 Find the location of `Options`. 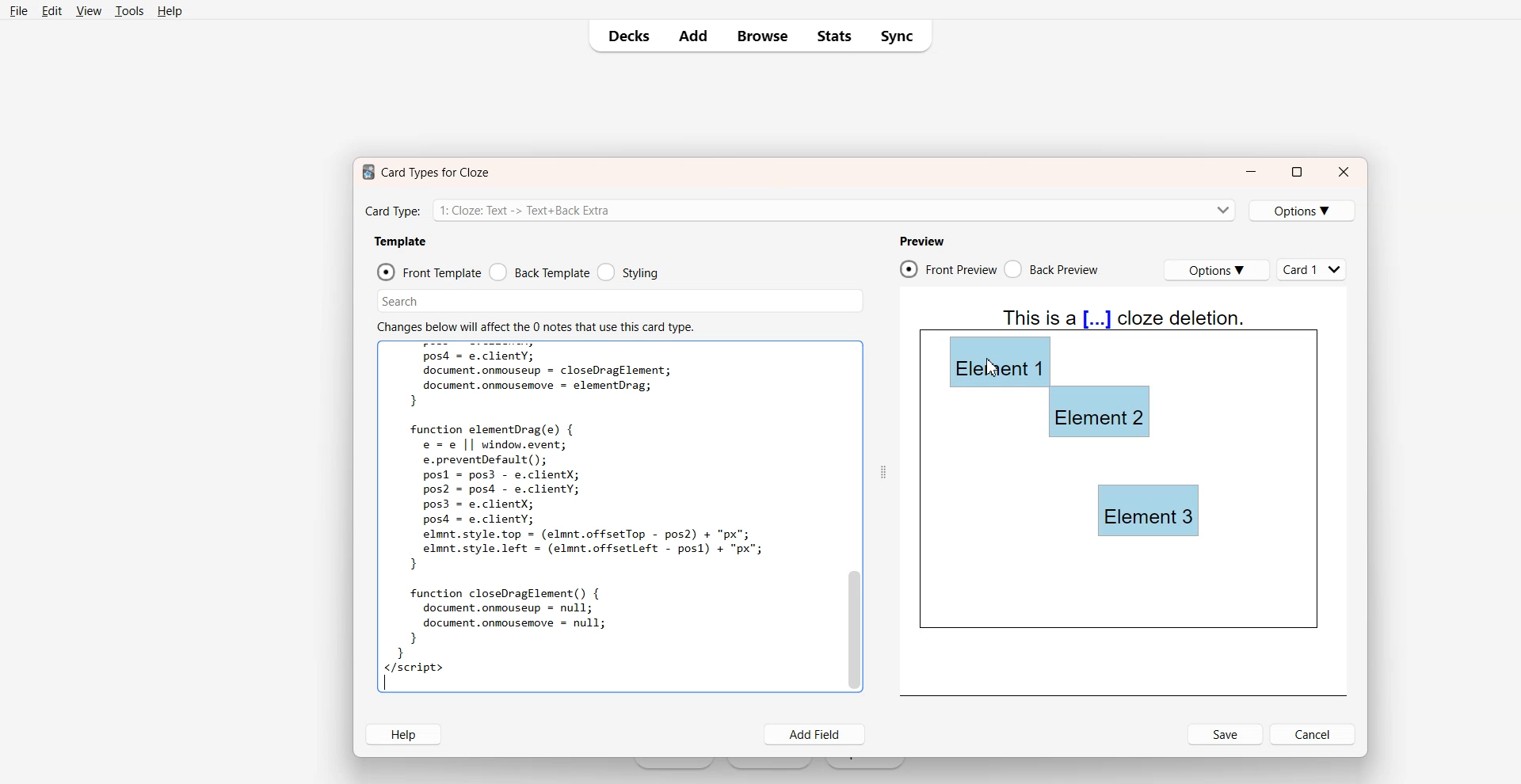

Options is located at coordinates (1216, 270).